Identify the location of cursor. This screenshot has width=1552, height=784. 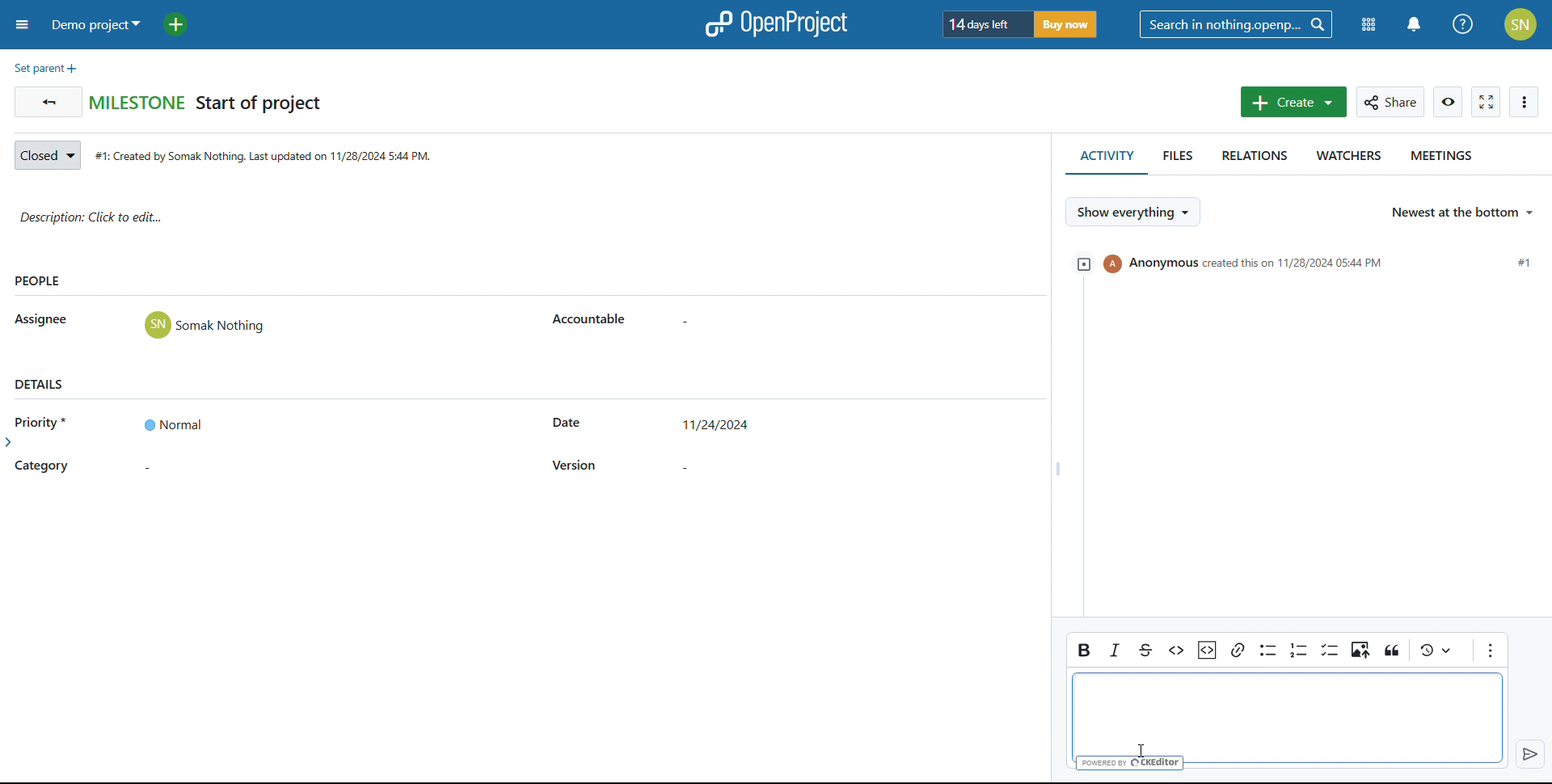
(1145, 749).